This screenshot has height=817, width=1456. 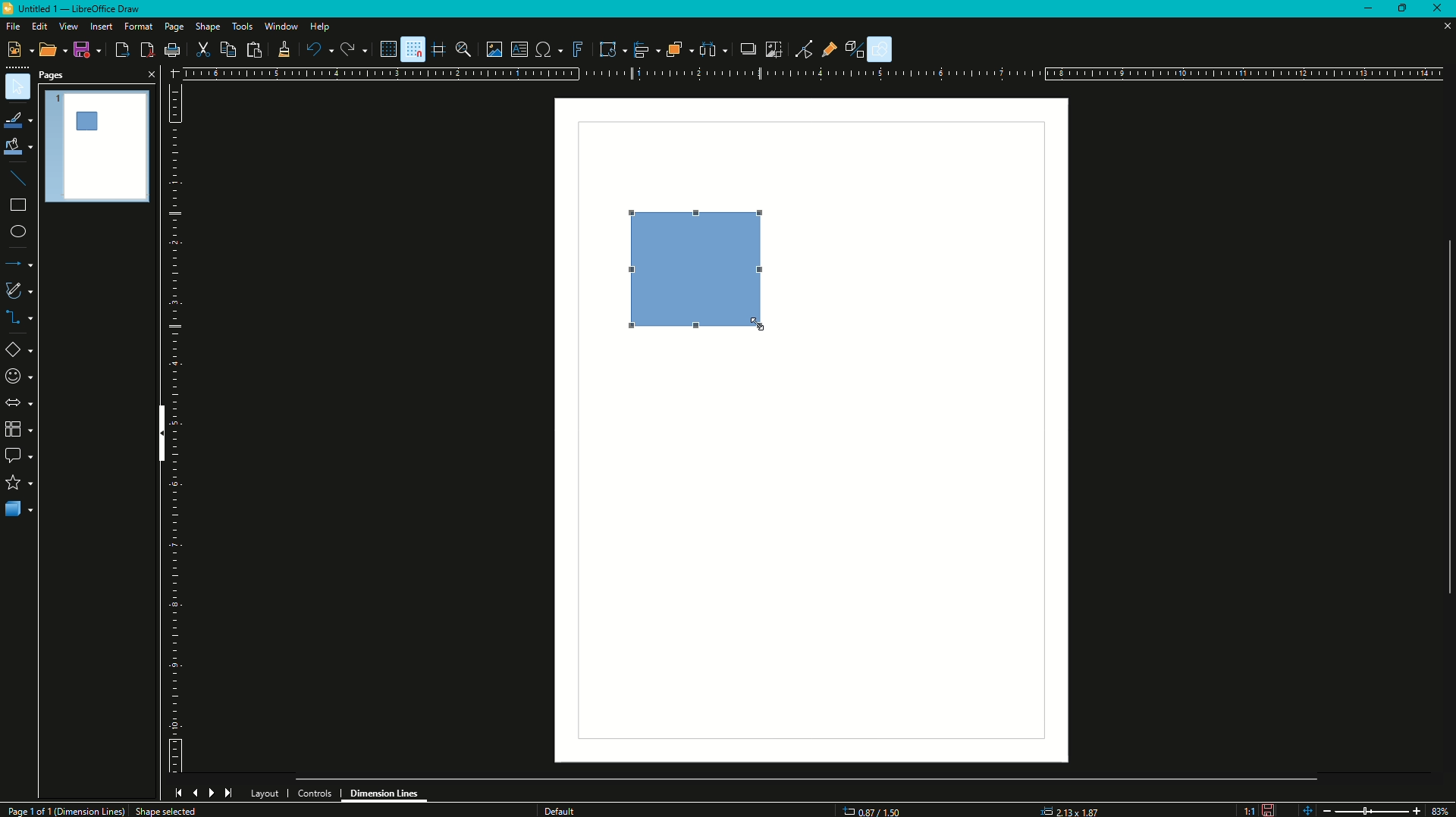 I want to click on Ellipses, so click(x=17, y=233).